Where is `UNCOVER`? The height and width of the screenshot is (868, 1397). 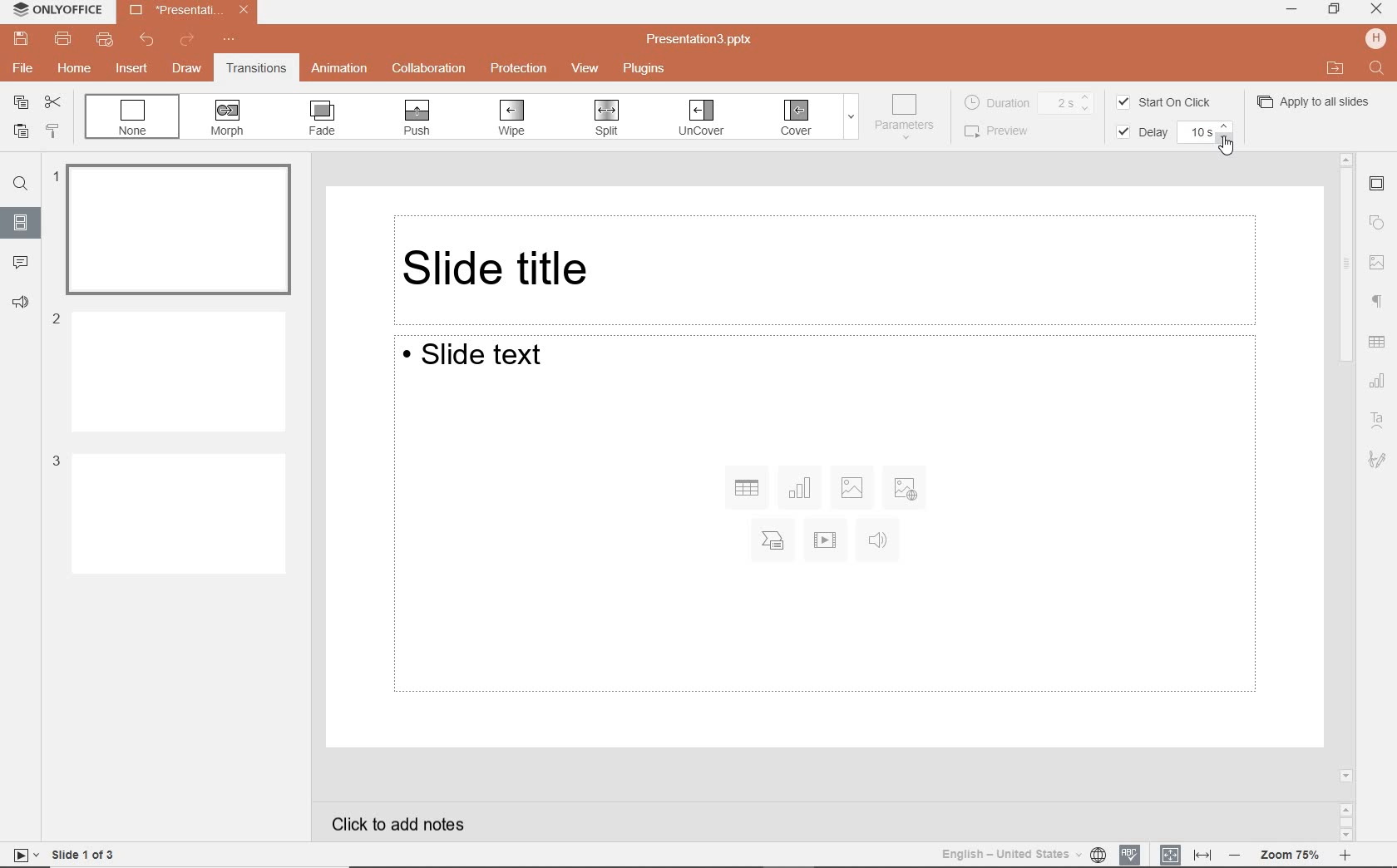 UNCOVER is located at coordinates (700, 121).